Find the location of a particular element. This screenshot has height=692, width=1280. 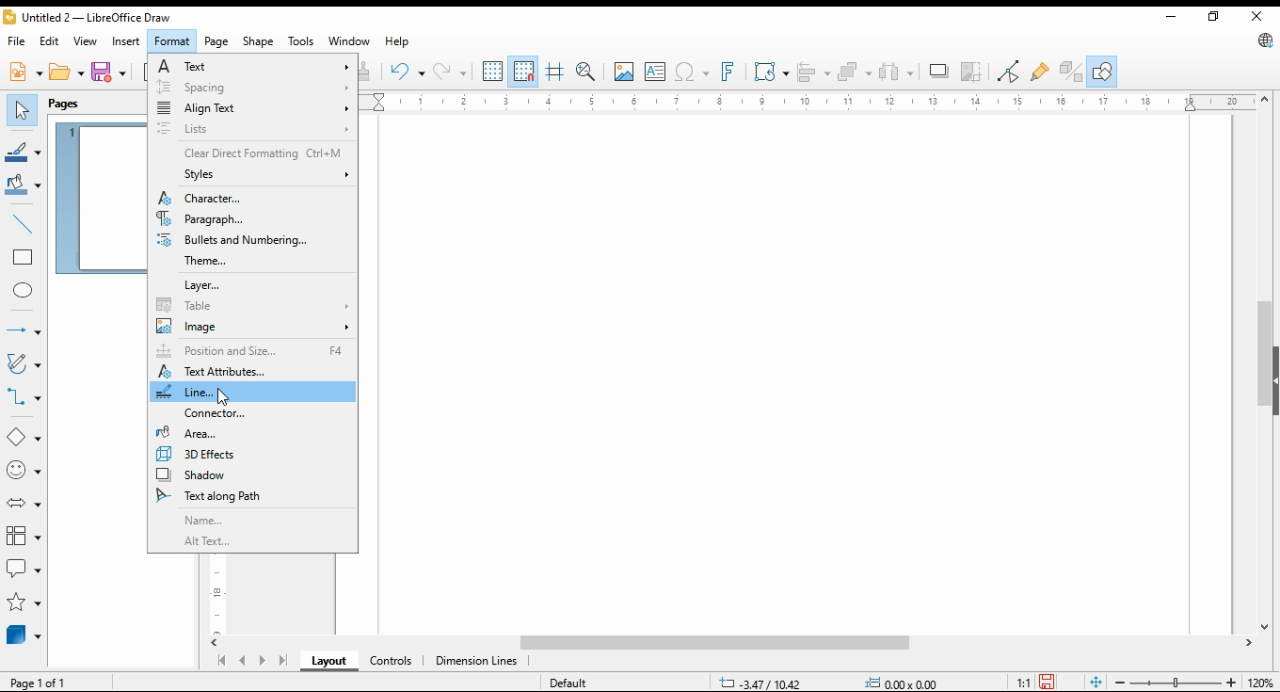

show grids is located at coordinates (492, 71).